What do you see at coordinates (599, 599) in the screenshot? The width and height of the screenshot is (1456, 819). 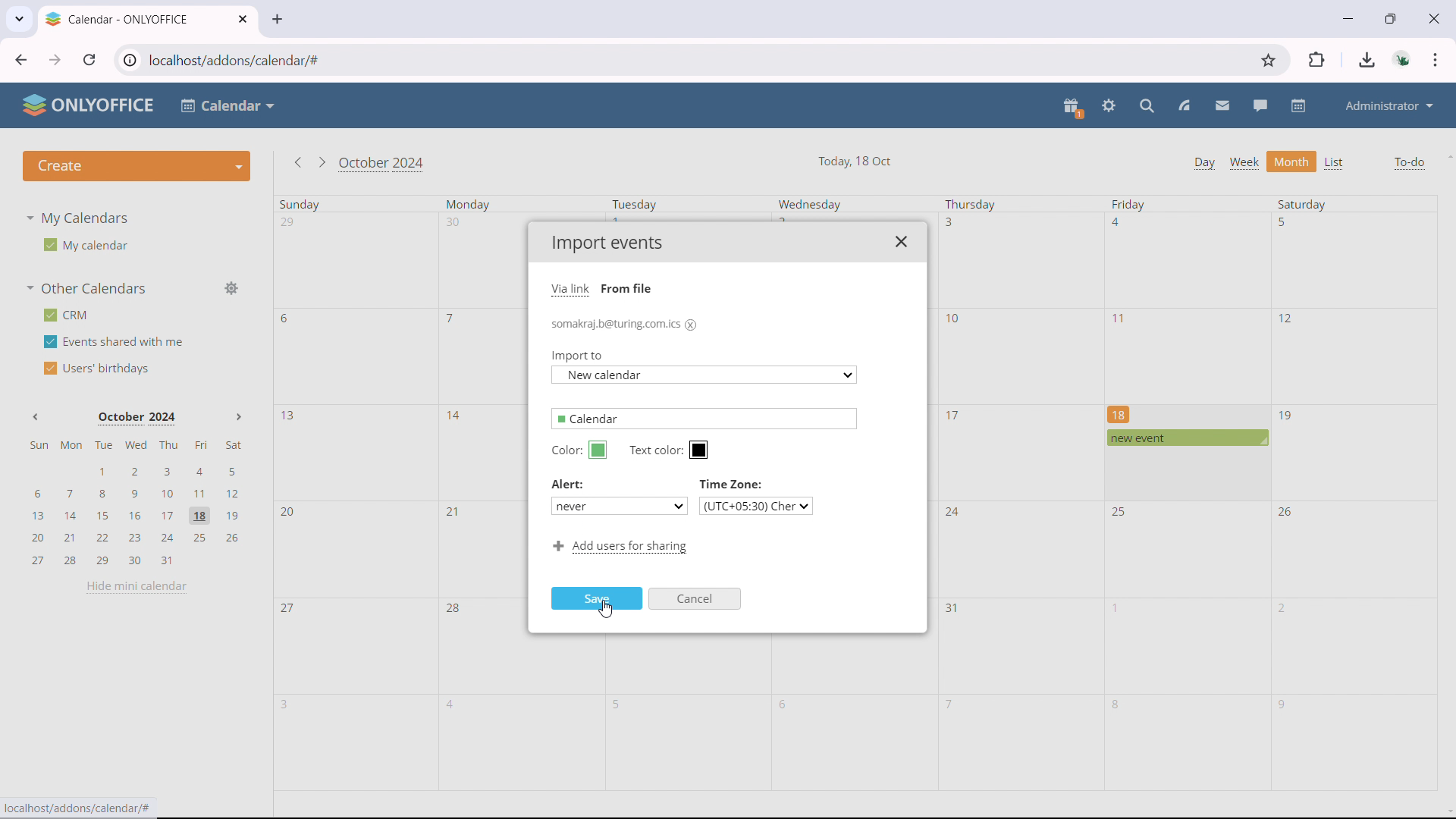 I see `Save` at bounding box center [599, 599].